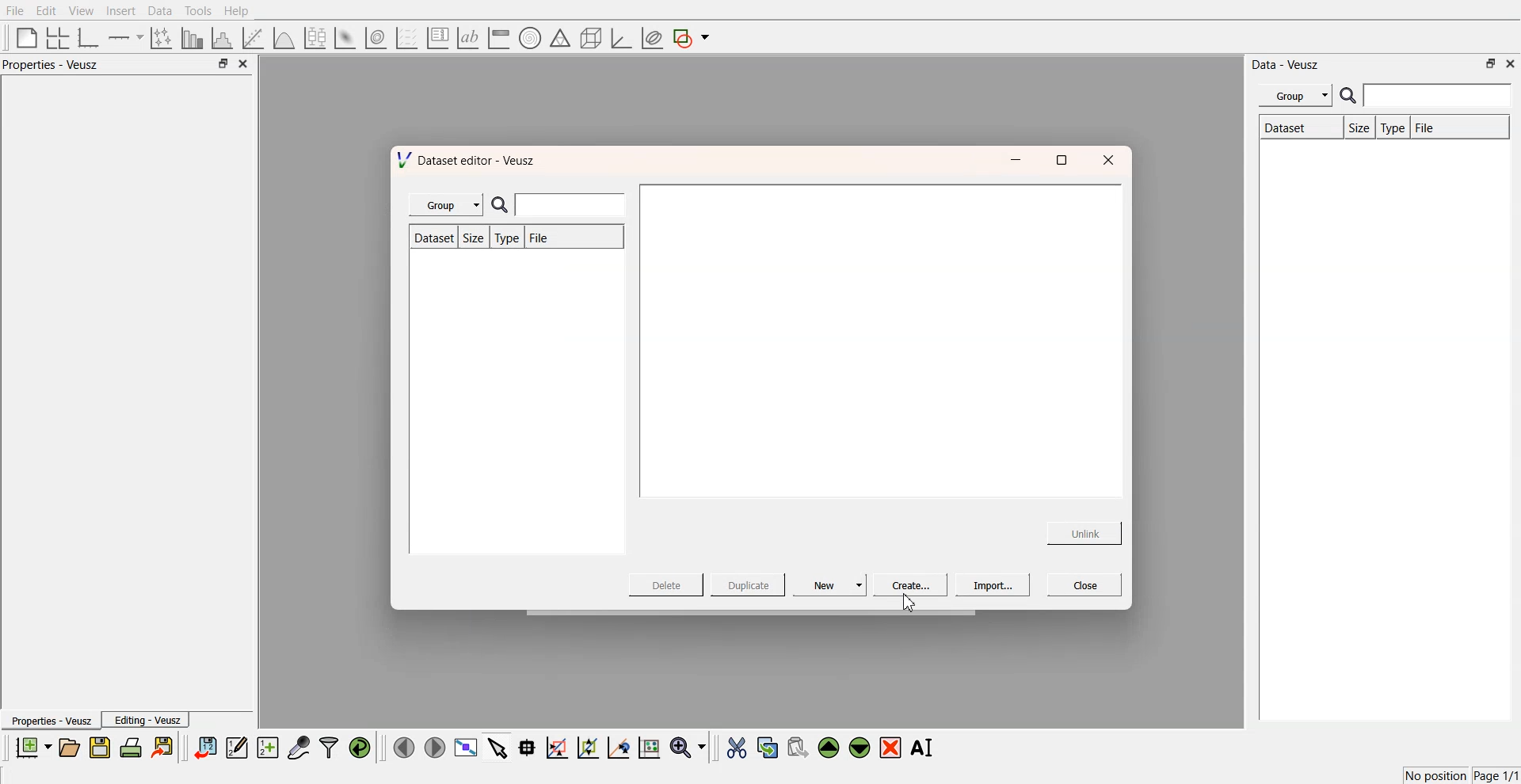  Describe the element at coordinates (159, 11) in the screenshot. I see `Data` at that location.